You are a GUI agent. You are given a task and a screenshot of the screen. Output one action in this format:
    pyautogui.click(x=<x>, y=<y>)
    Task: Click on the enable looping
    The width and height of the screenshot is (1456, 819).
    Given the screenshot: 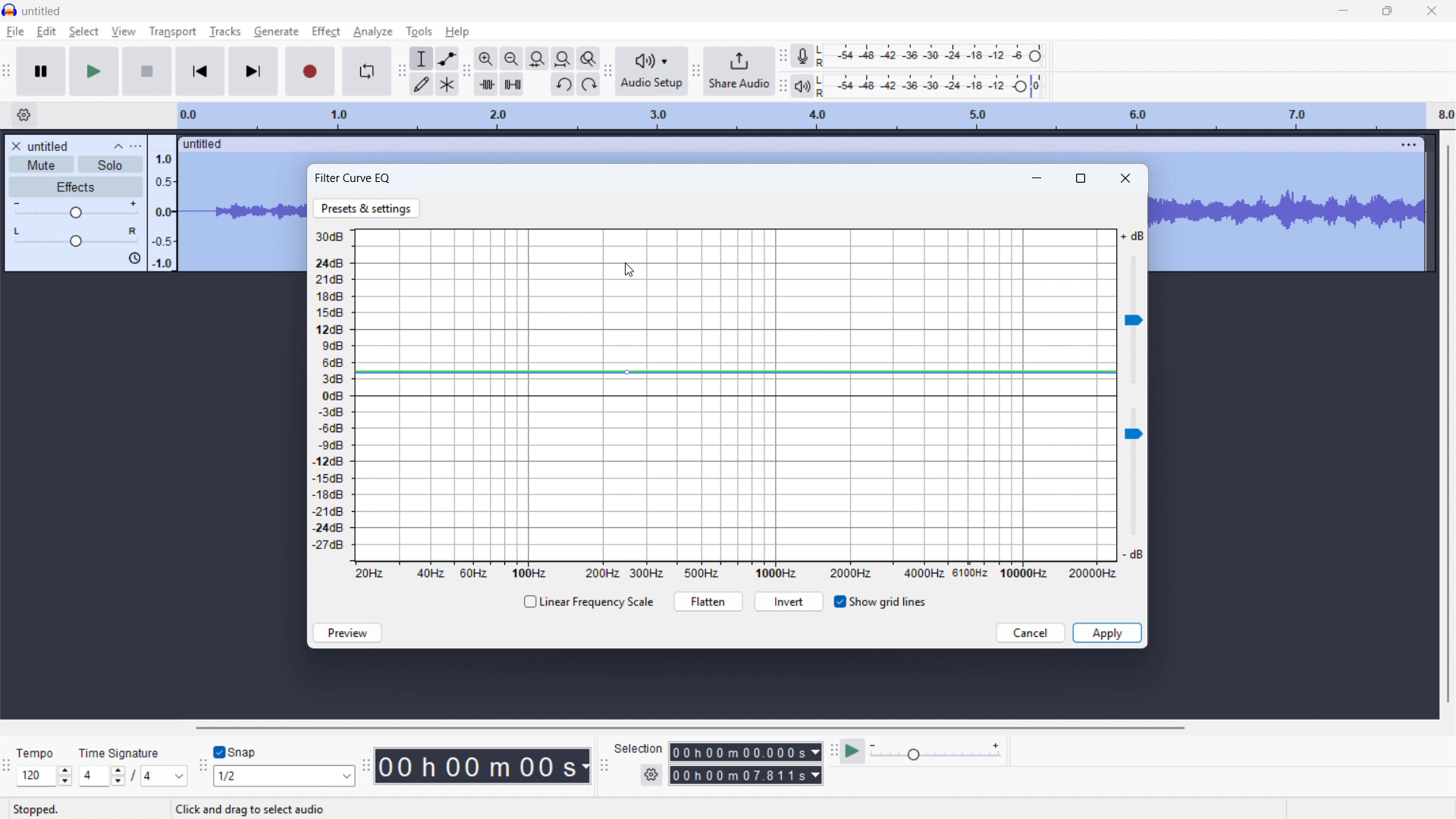 What is the action you would take?
    pyautogui.click(x=367, y=71)
    